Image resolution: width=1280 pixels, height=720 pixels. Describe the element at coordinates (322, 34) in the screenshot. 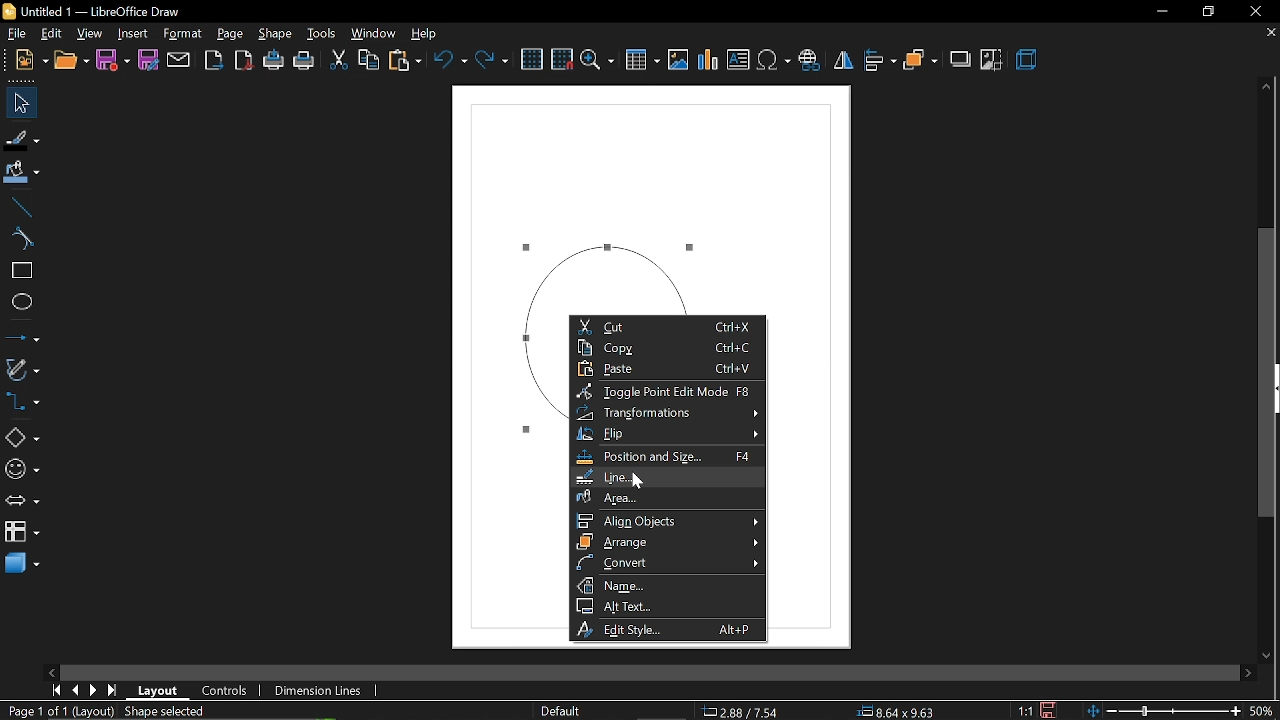

I see `tools` at that location.